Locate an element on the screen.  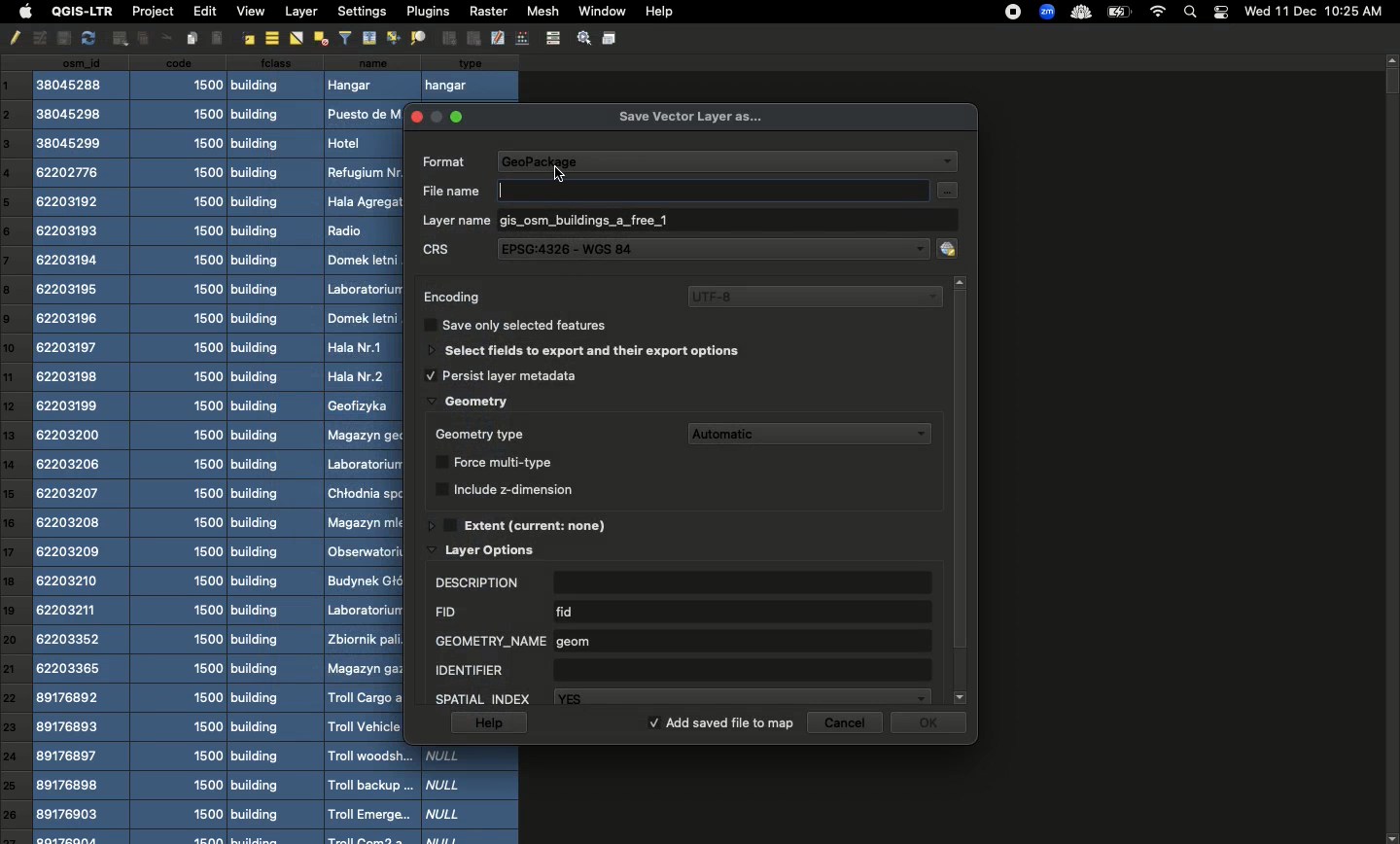
Scroll is located at coordinates (1391, 448).